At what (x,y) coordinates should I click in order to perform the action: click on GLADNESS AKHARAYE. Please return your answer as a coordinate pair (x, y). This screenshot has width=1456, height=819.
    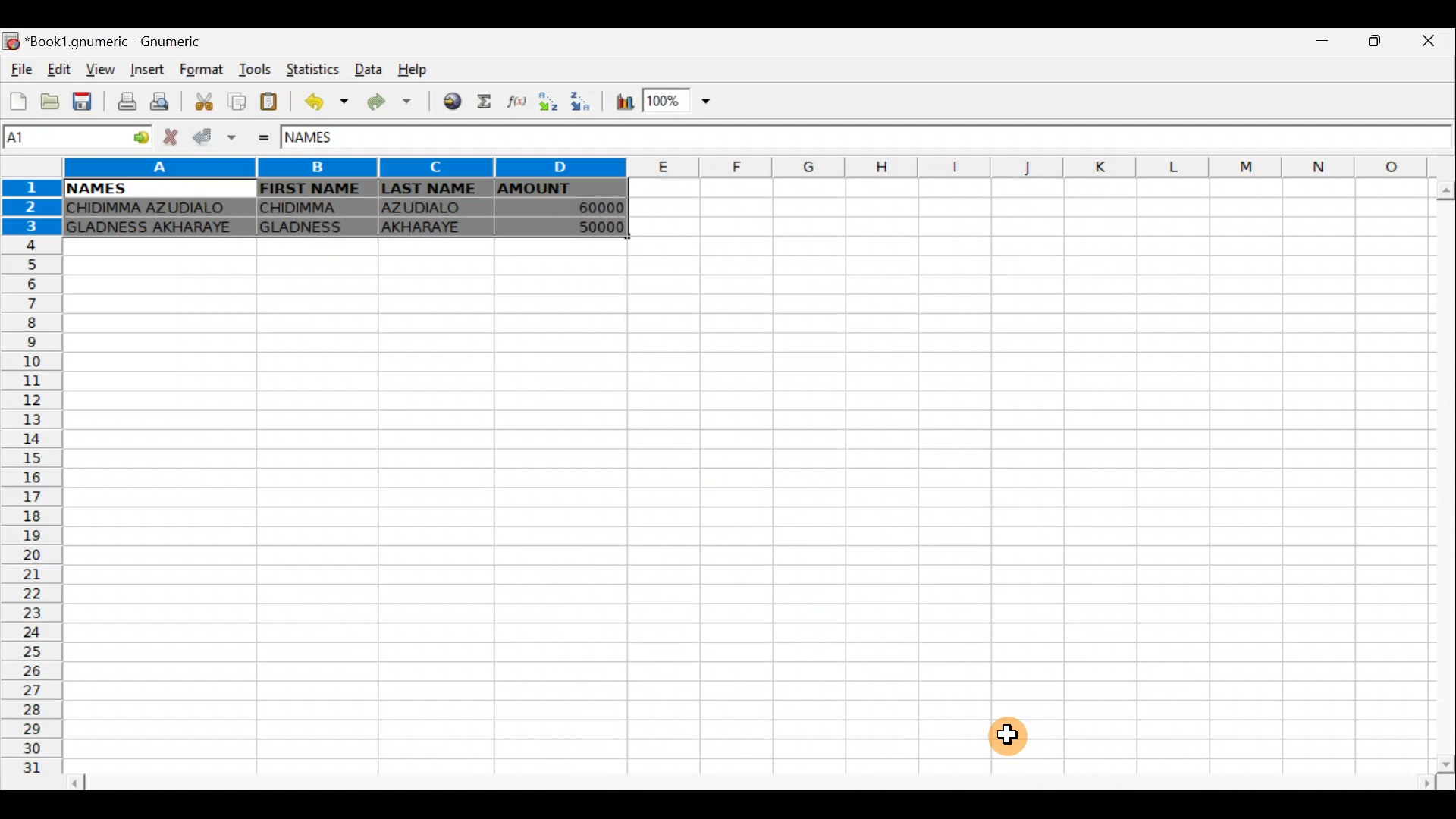
    Looking at the image, I should click on (154, 209).